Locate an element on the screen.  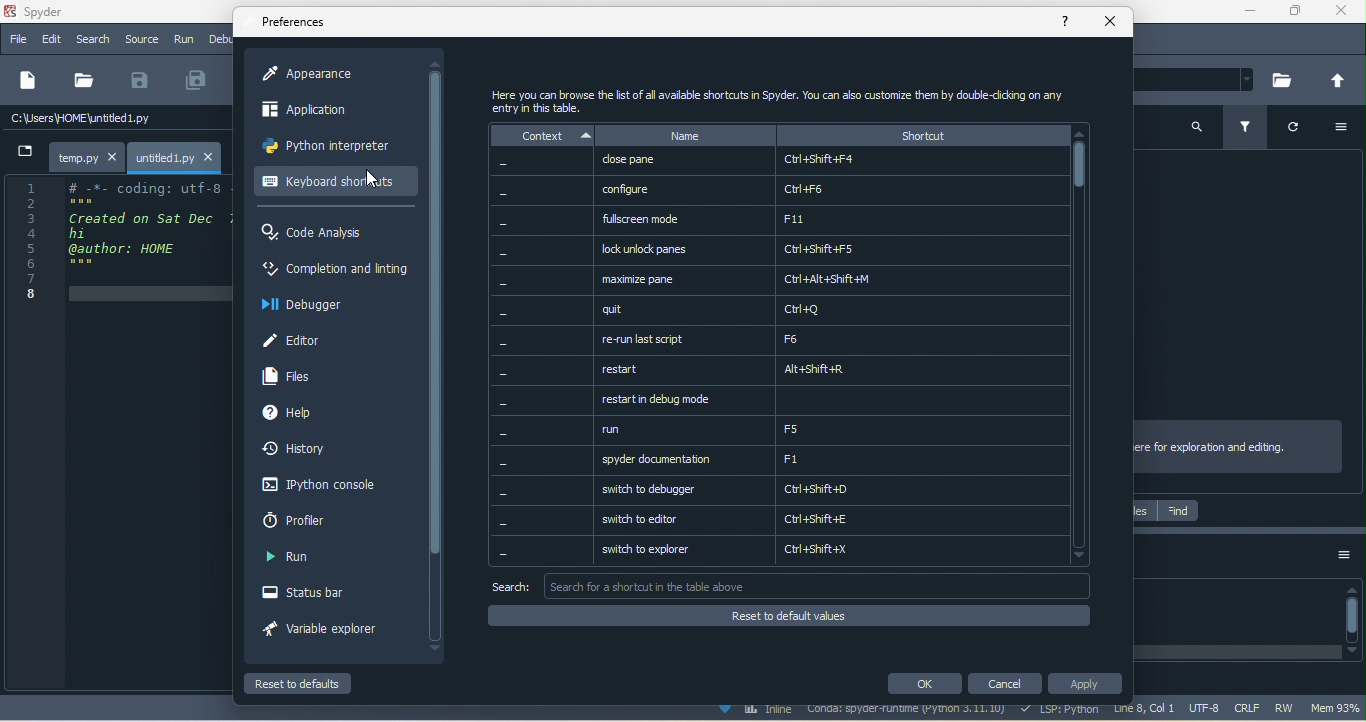
file is located at coordinates (86, 79).